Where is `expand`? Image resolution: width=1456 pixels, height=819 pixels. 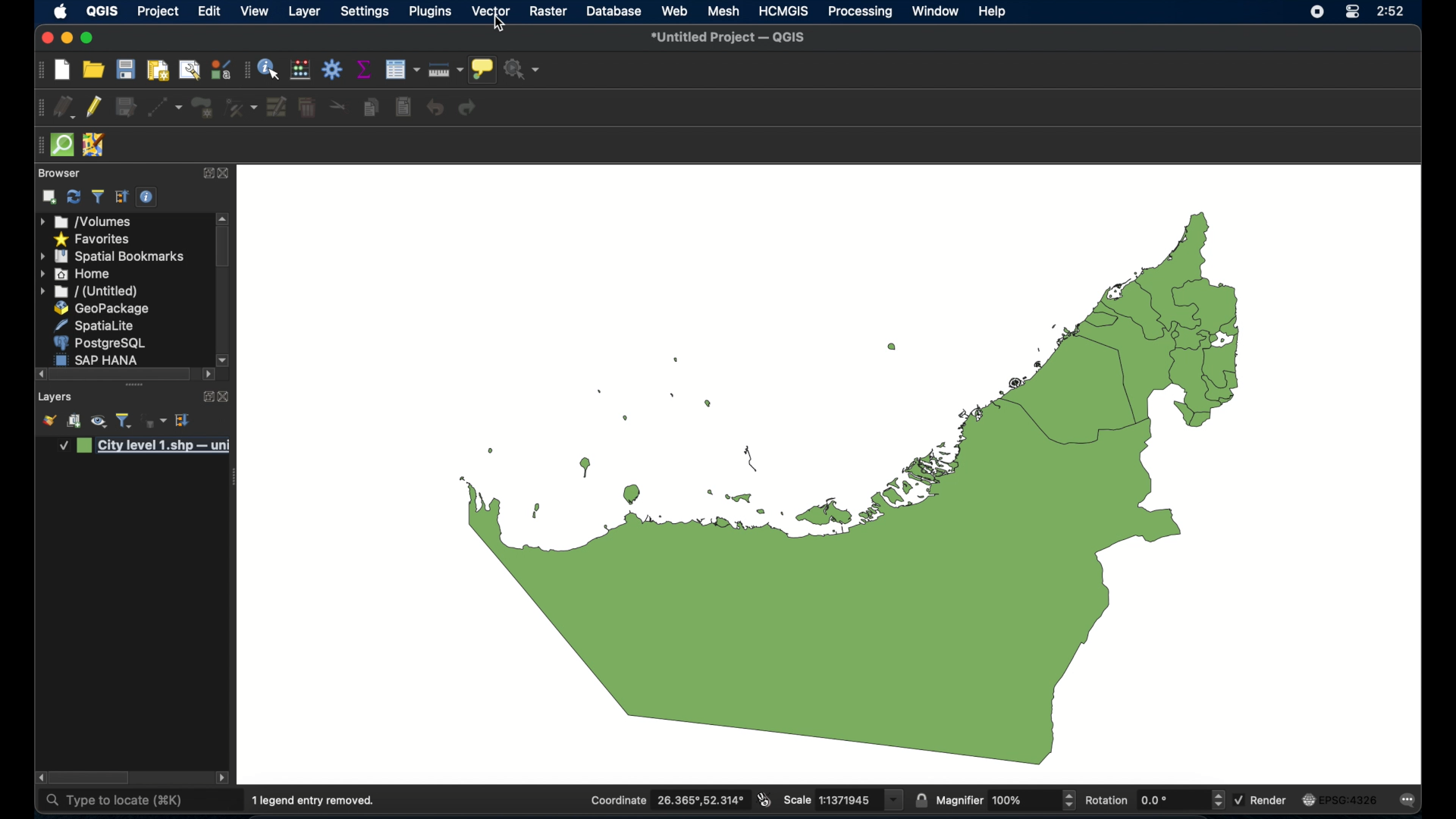
expand is located at coordinates (206, 171).